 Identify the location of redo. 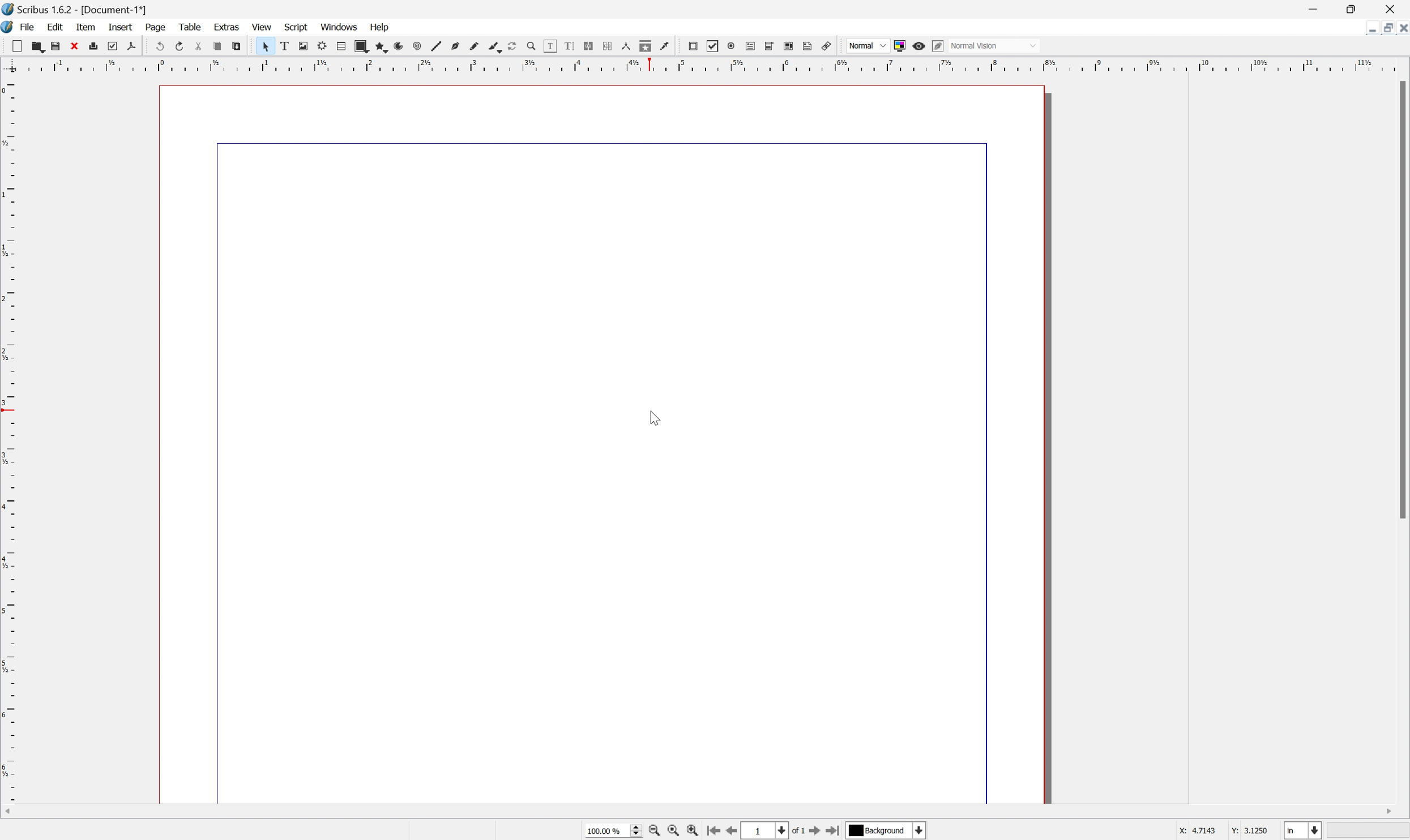
(177, 45).